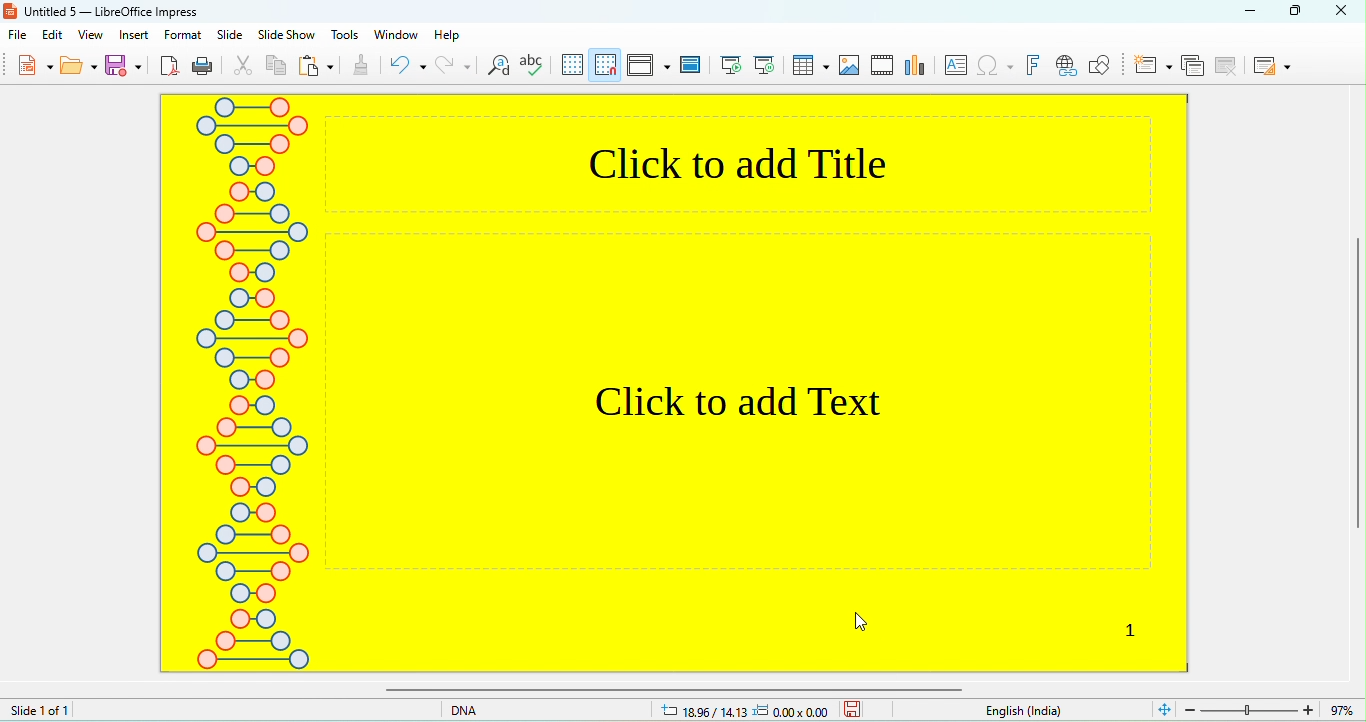  What do you see at coordinates (1303, 11) in the screenshot?
I see `maximize` at bounding box center [1303, 11].